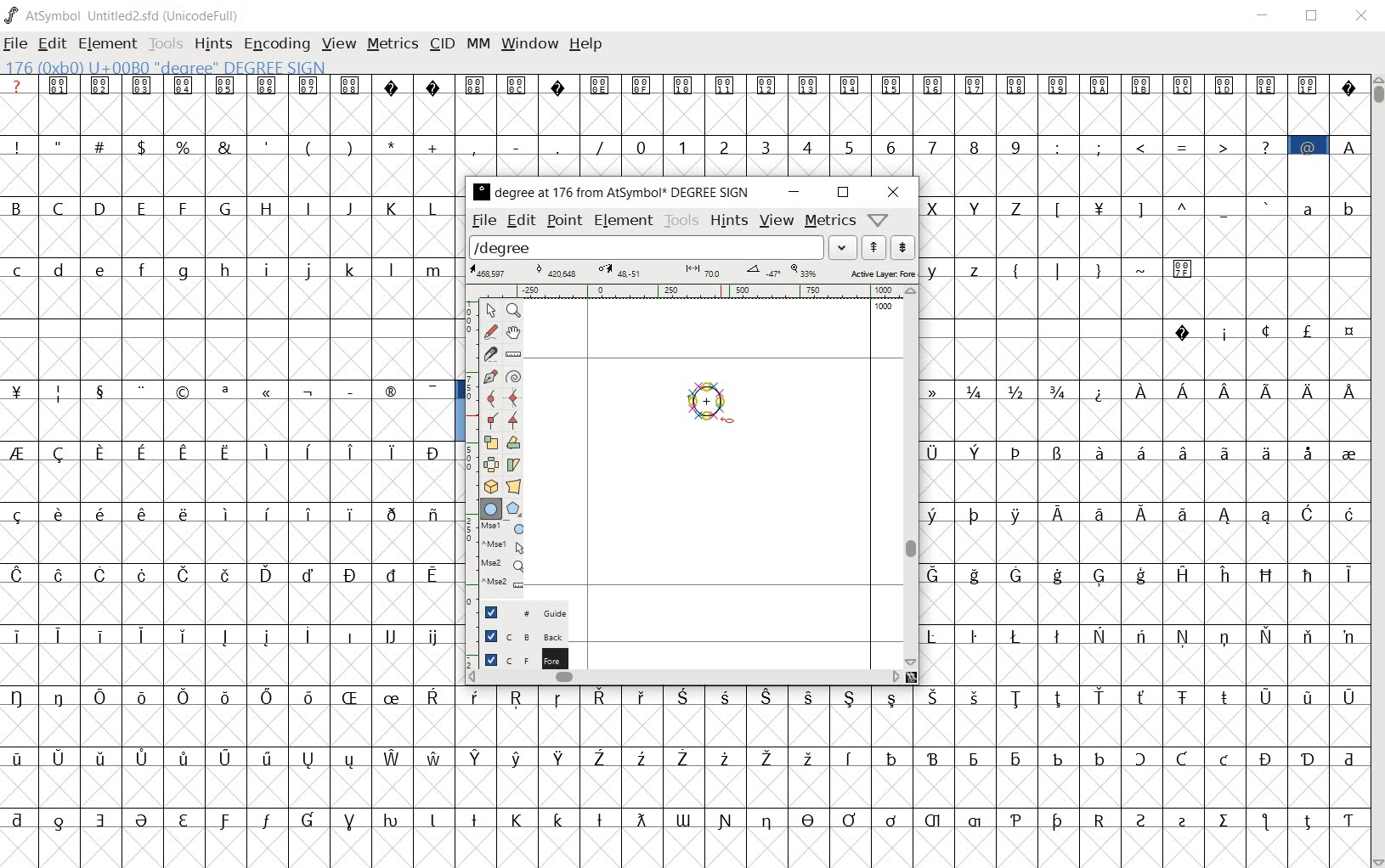  What do you see at coordinates (512, 335) in the screenshot?
I see `scroll by hand` at bounding box center [512, 335].